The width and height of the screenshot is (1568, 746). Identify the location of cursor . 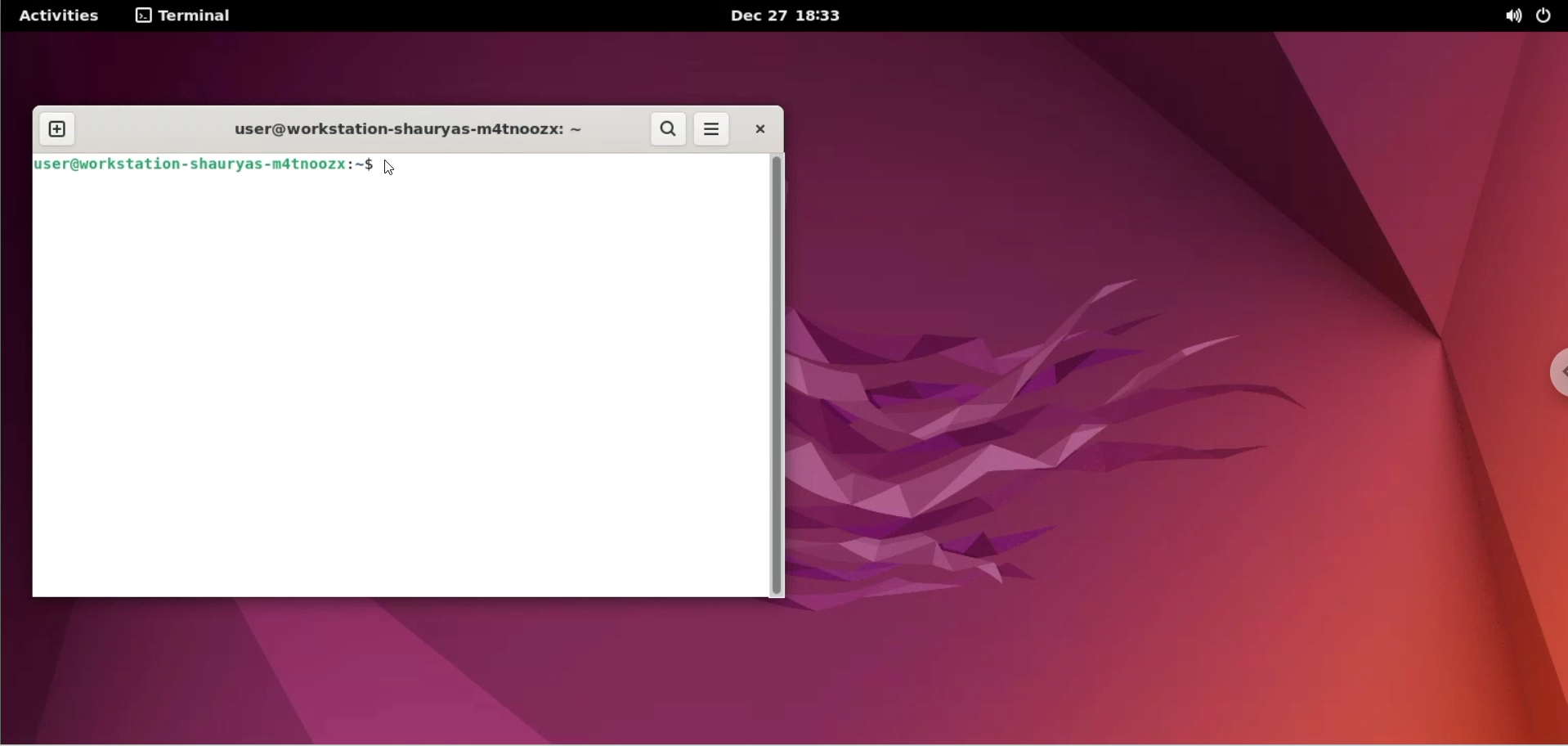
(393, 169).